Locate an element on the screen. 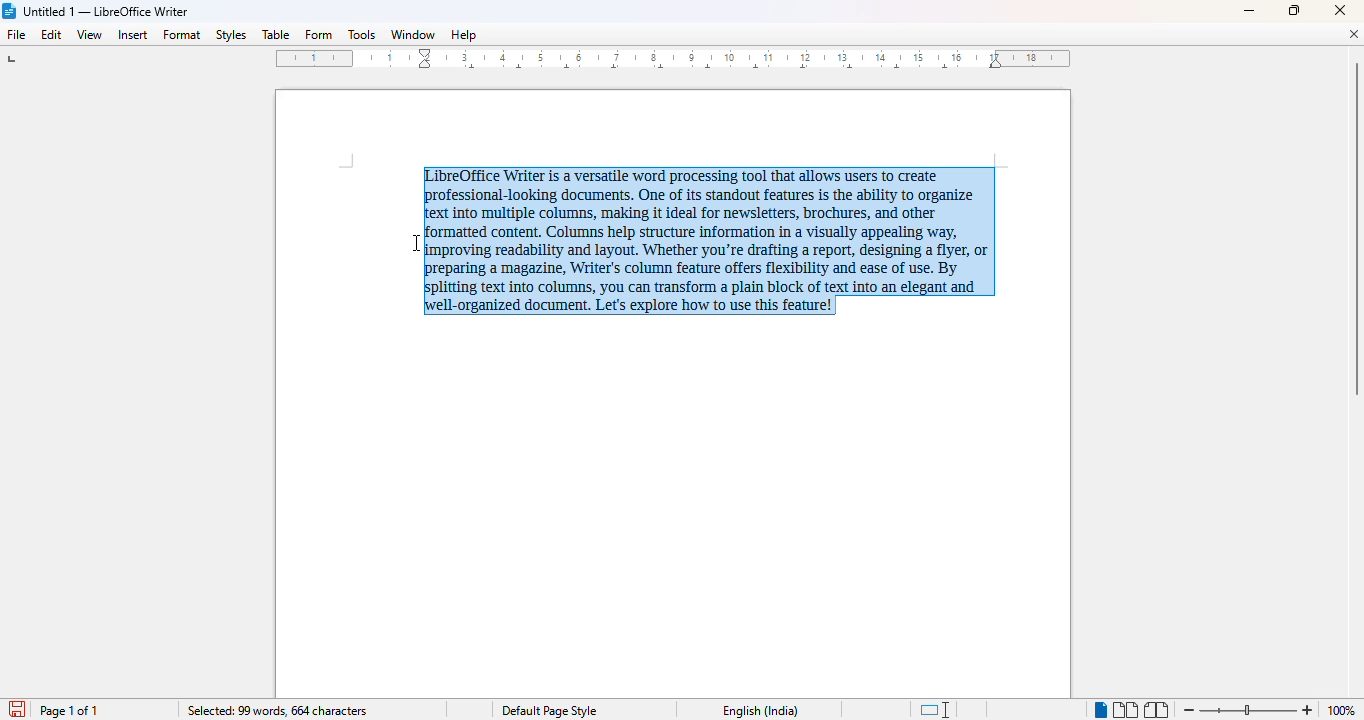 The height and width of the screenshot is (720, 1364). single-page view is located at coordinates (1100, 711).